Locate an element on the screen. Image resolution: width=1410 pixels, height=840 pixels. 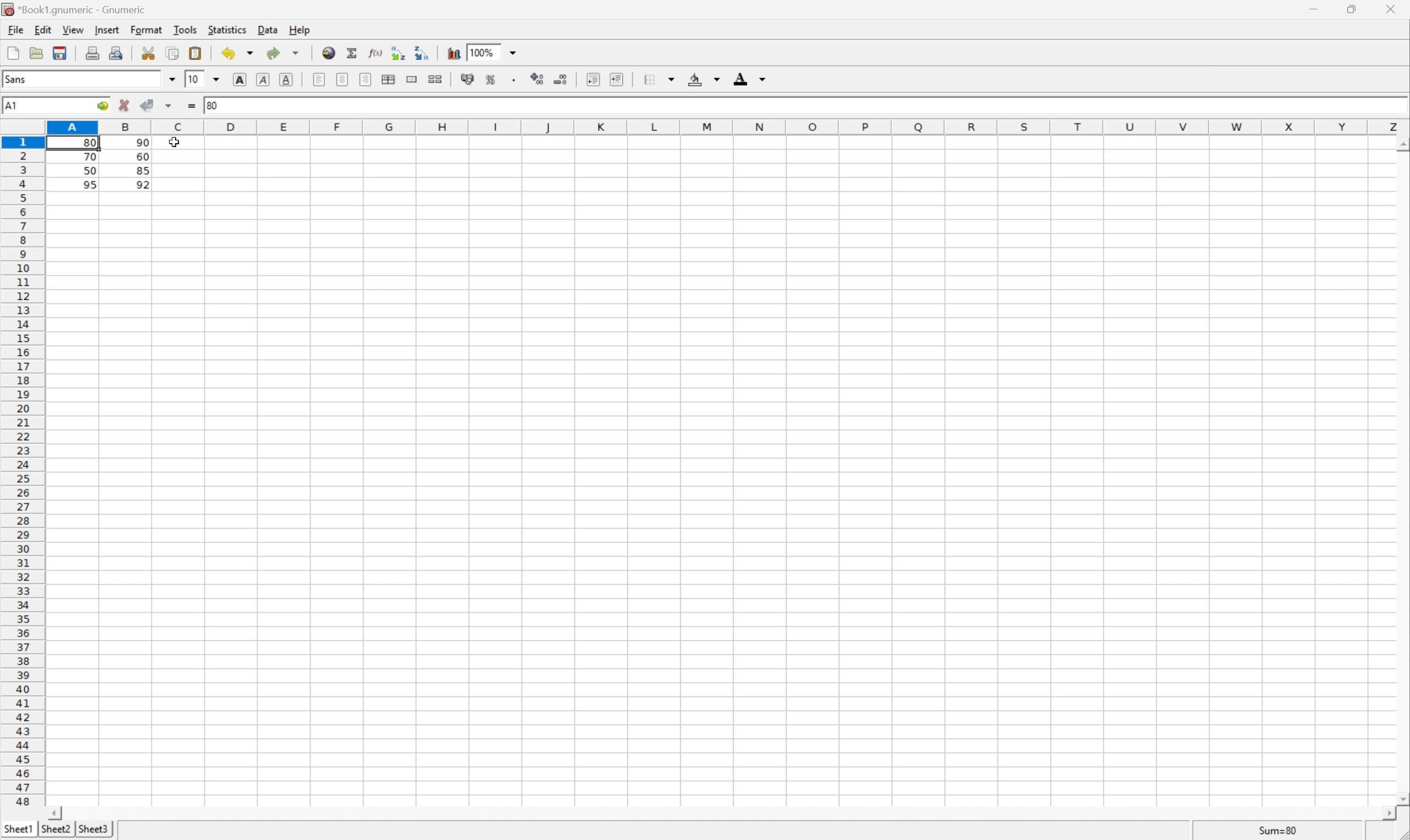
90 is located at coordinates (142, 143).